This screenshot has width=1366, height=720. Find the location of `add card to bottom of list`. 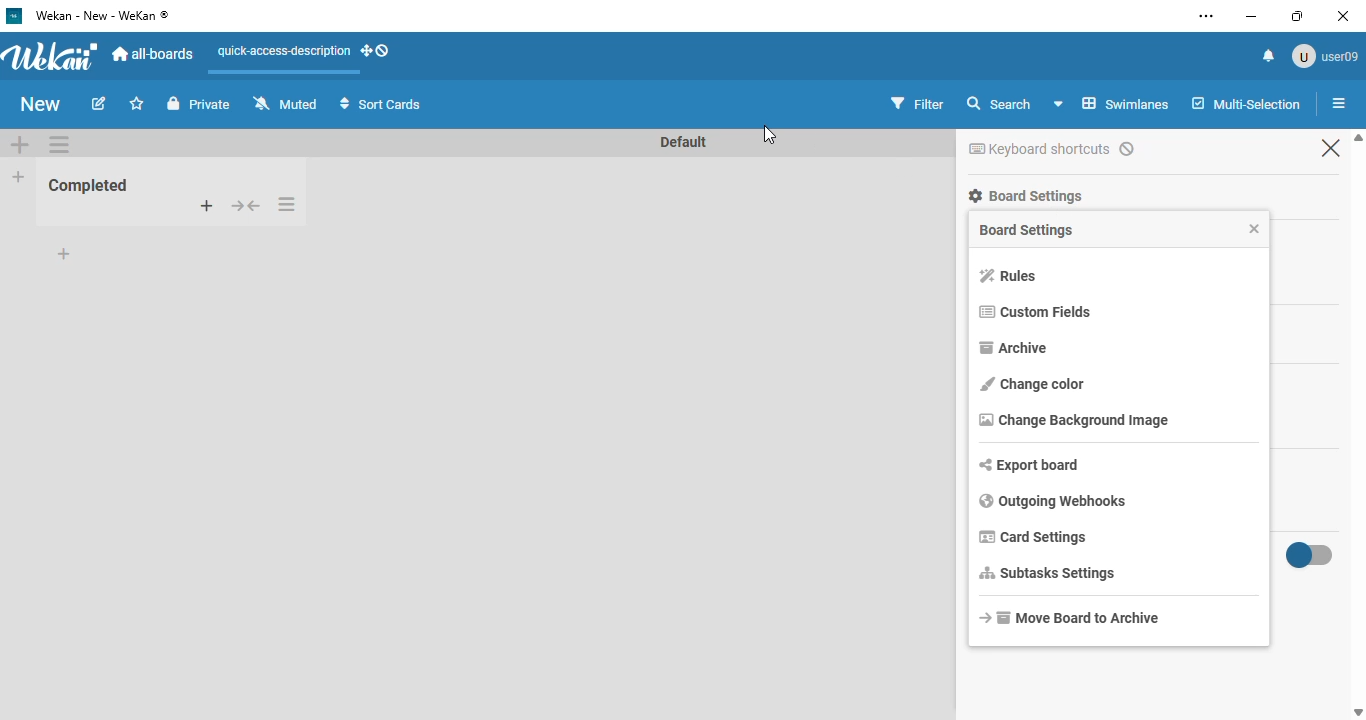

add card to bottom of list is located at coordinates (65, 254).